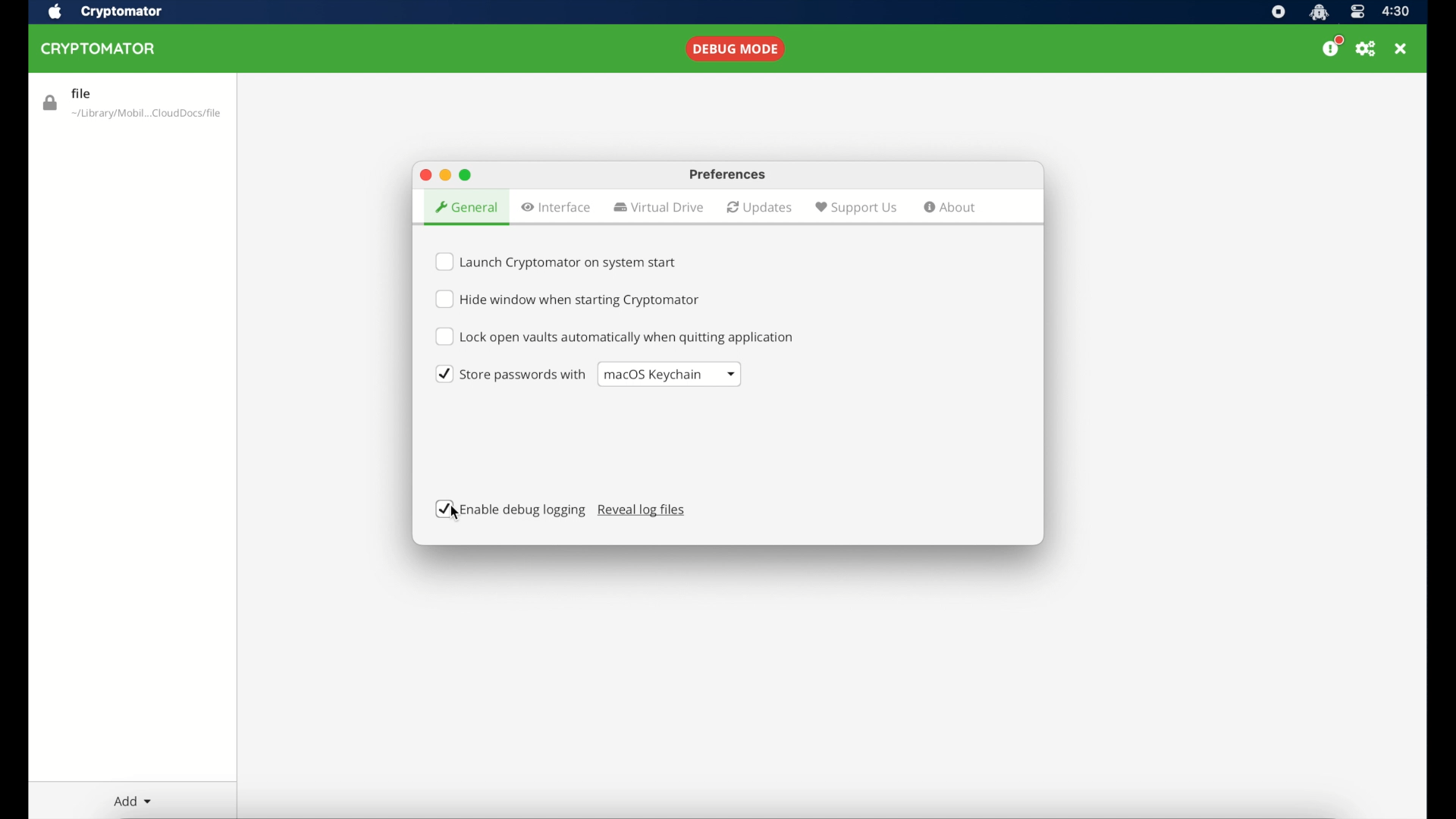 The height and width of the screenshot is (819, 1456). Describe the element at coordinates (1332, 46) in the screenshot. I see `donate us` at that location.